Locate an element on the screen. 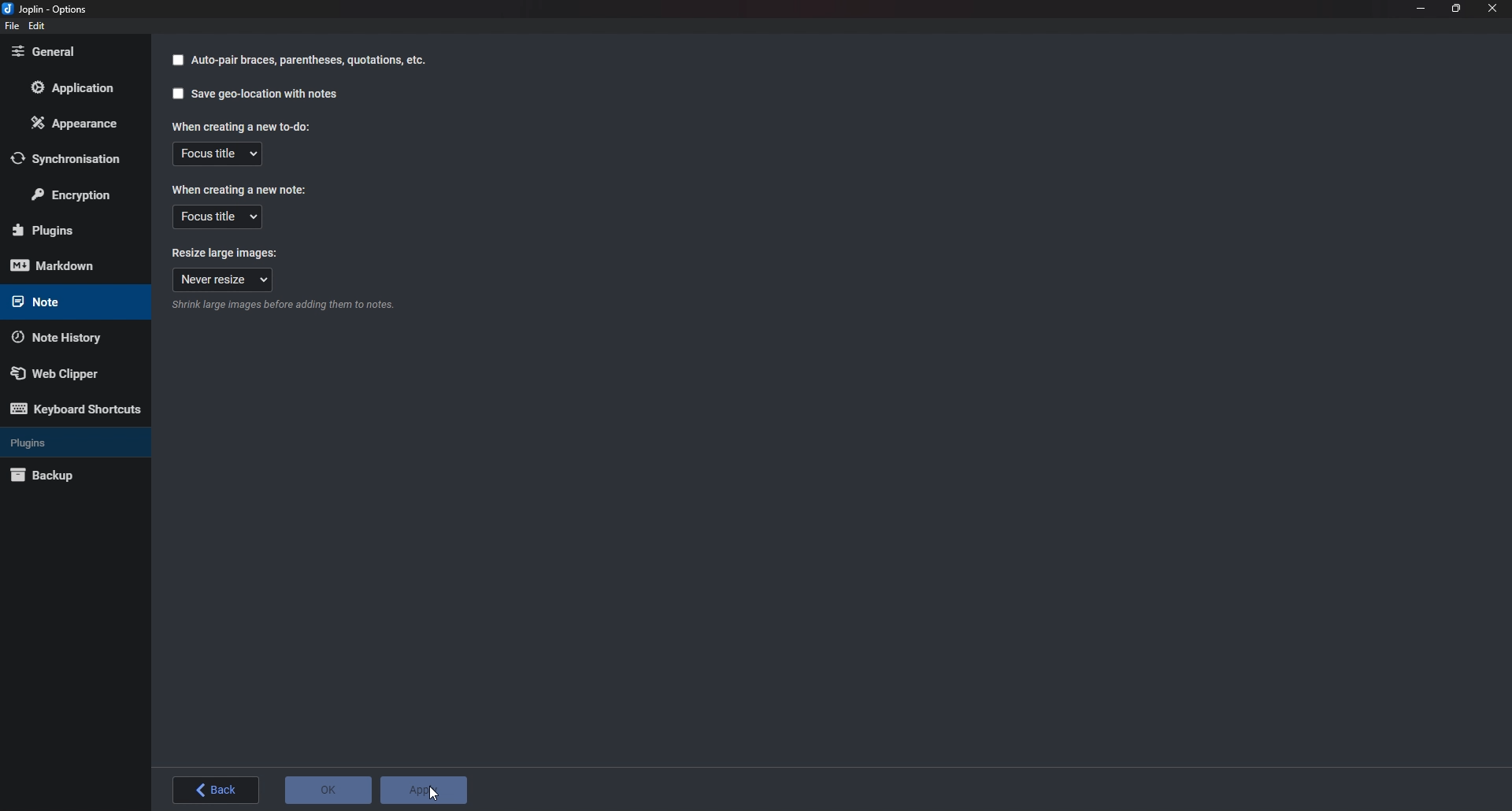 The image size is (1512, 811). Plugins is located at coordinates (72, 441).